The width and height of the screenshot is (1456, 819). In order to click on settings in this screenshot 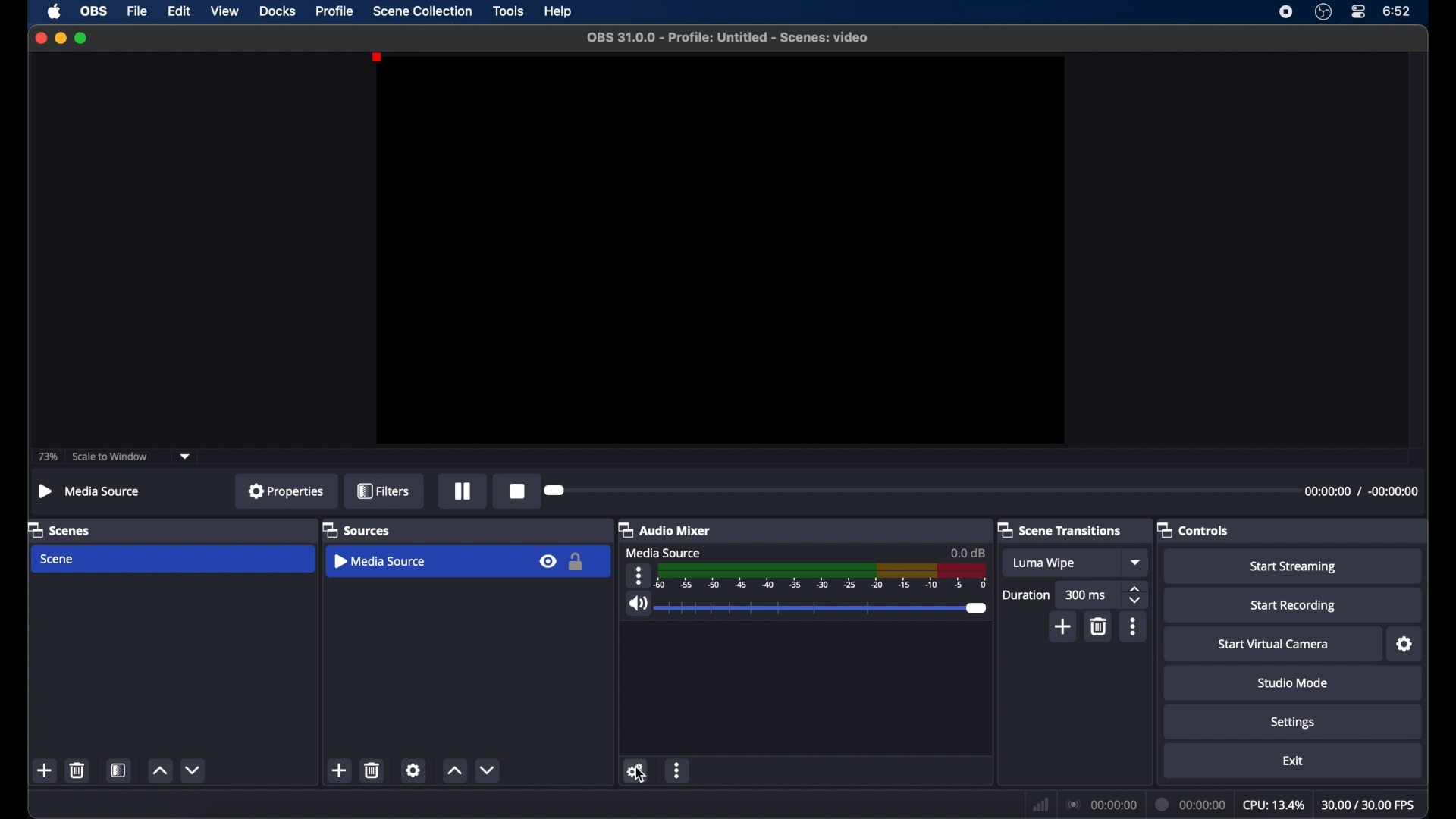, I will do `click(1404, 645)`.